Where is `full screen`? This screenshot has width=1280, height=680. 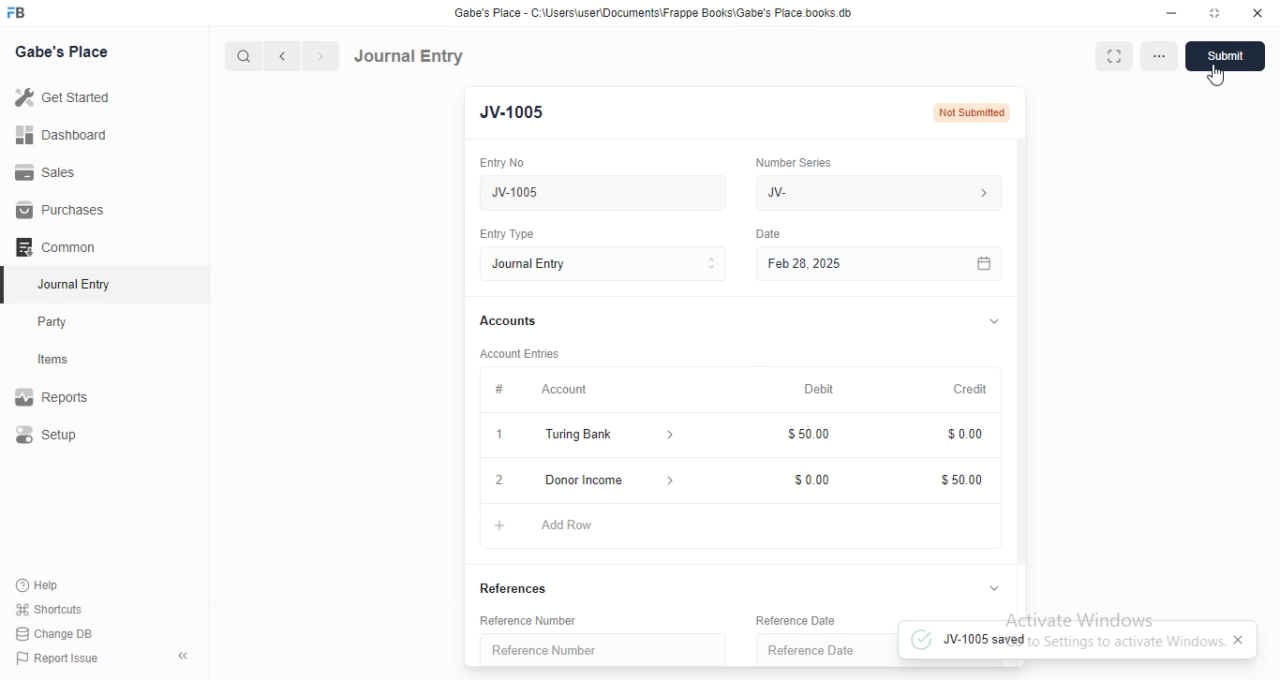
full screen is located at coordinates (1114, 56).